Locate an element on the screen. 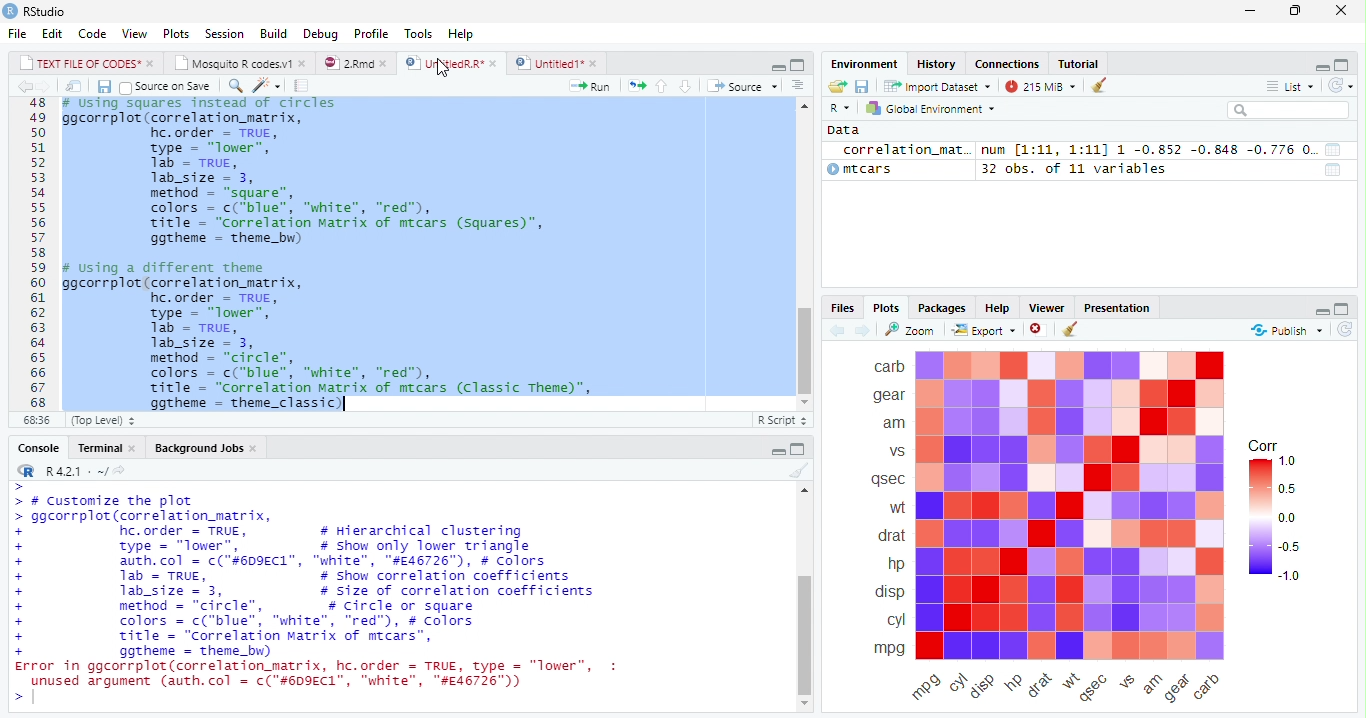  hide r script is located at coordinates (777, 450).